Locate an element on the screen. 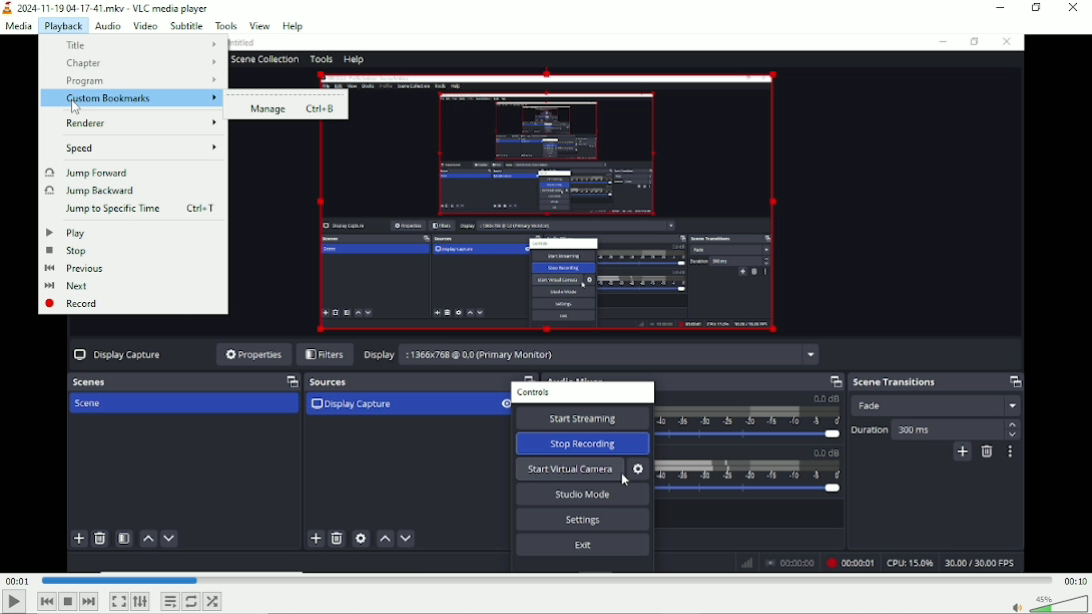 This screenshot has height=614, width=1092. Toggle loop all, loop one and no loop  is located at coordinates (192, 601).